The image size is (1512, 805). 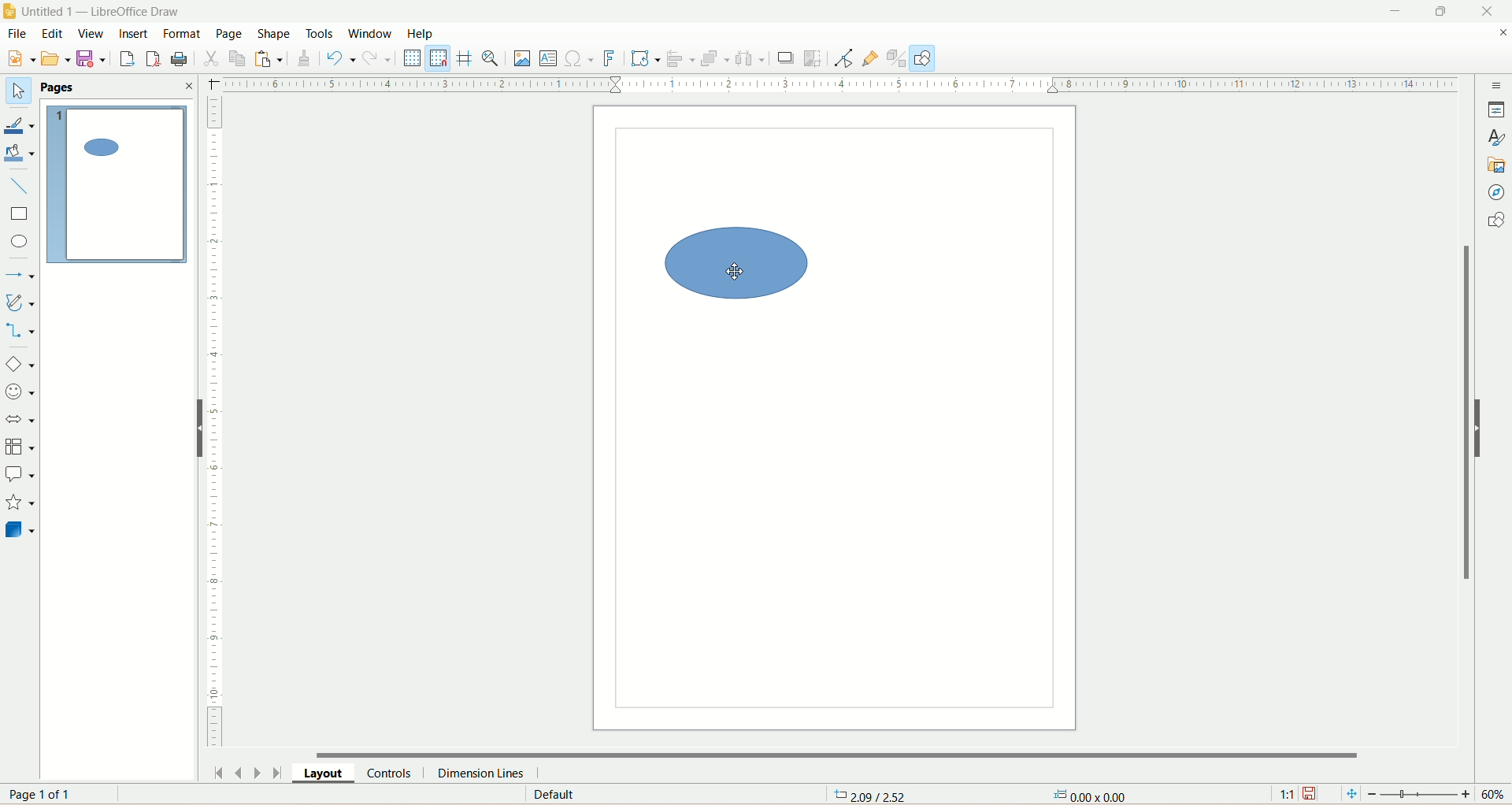 What do you see at coordinates (876, 796) in the screenshot?
I see `coordinates` at bounding box center [876, 796].